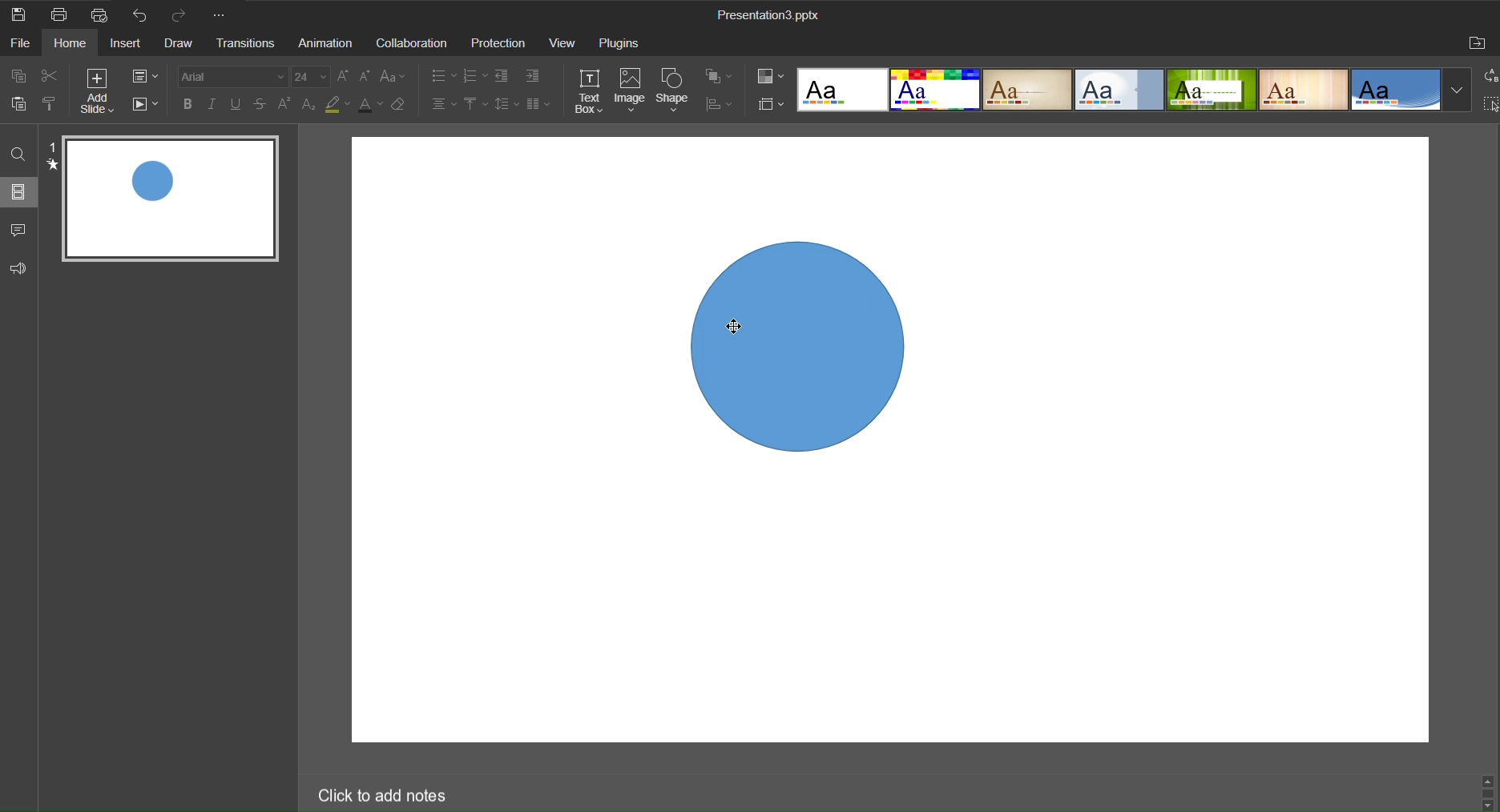 The image size is (1500, 812). What do you see at coordinates (776, 17) in the screenshot?
I see `Presentation Title` at bounding box center [776, 17].